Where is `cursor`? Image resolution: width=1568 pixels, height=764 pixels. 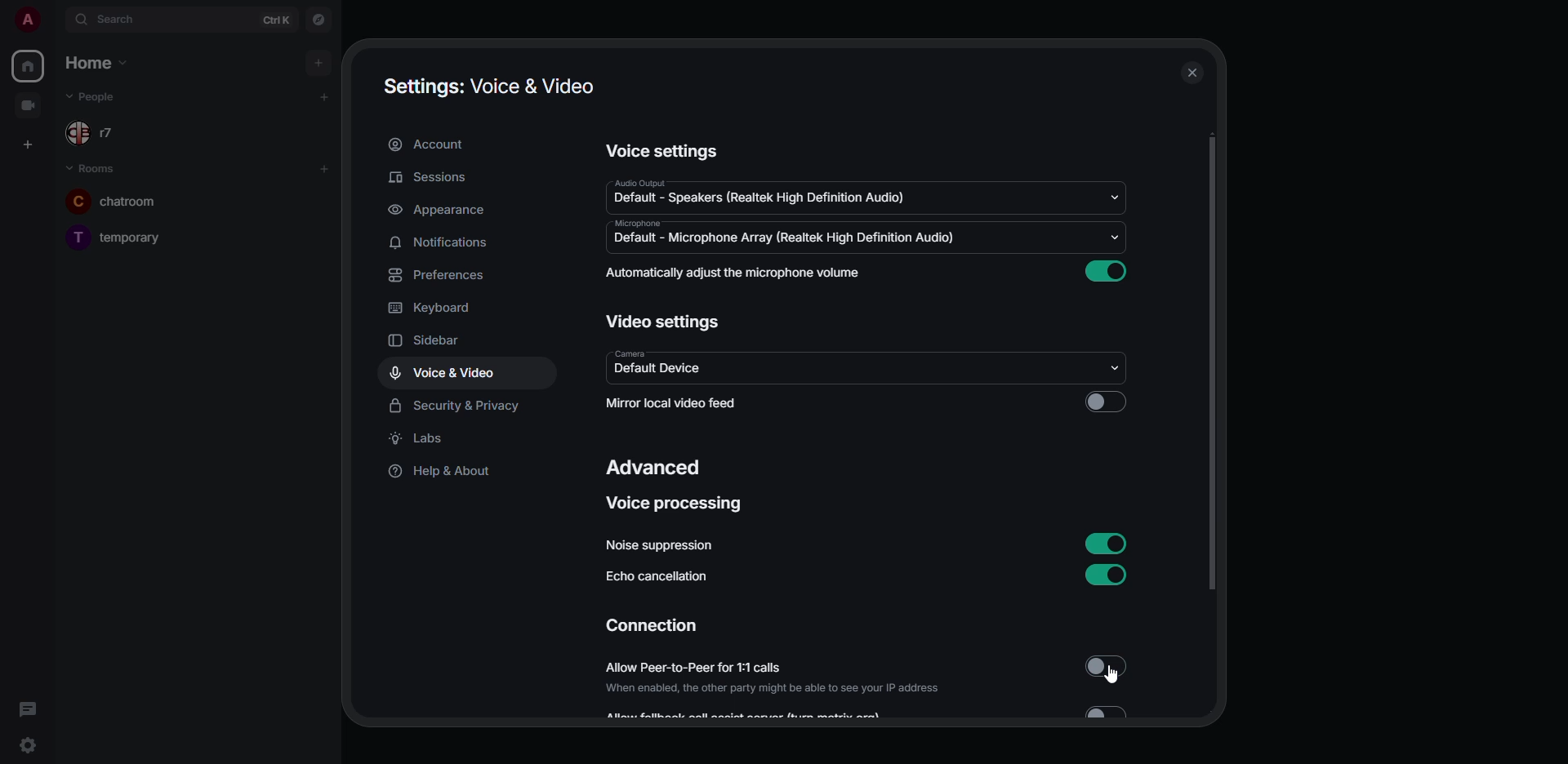
cursor is located at coordinates (1122, 677).